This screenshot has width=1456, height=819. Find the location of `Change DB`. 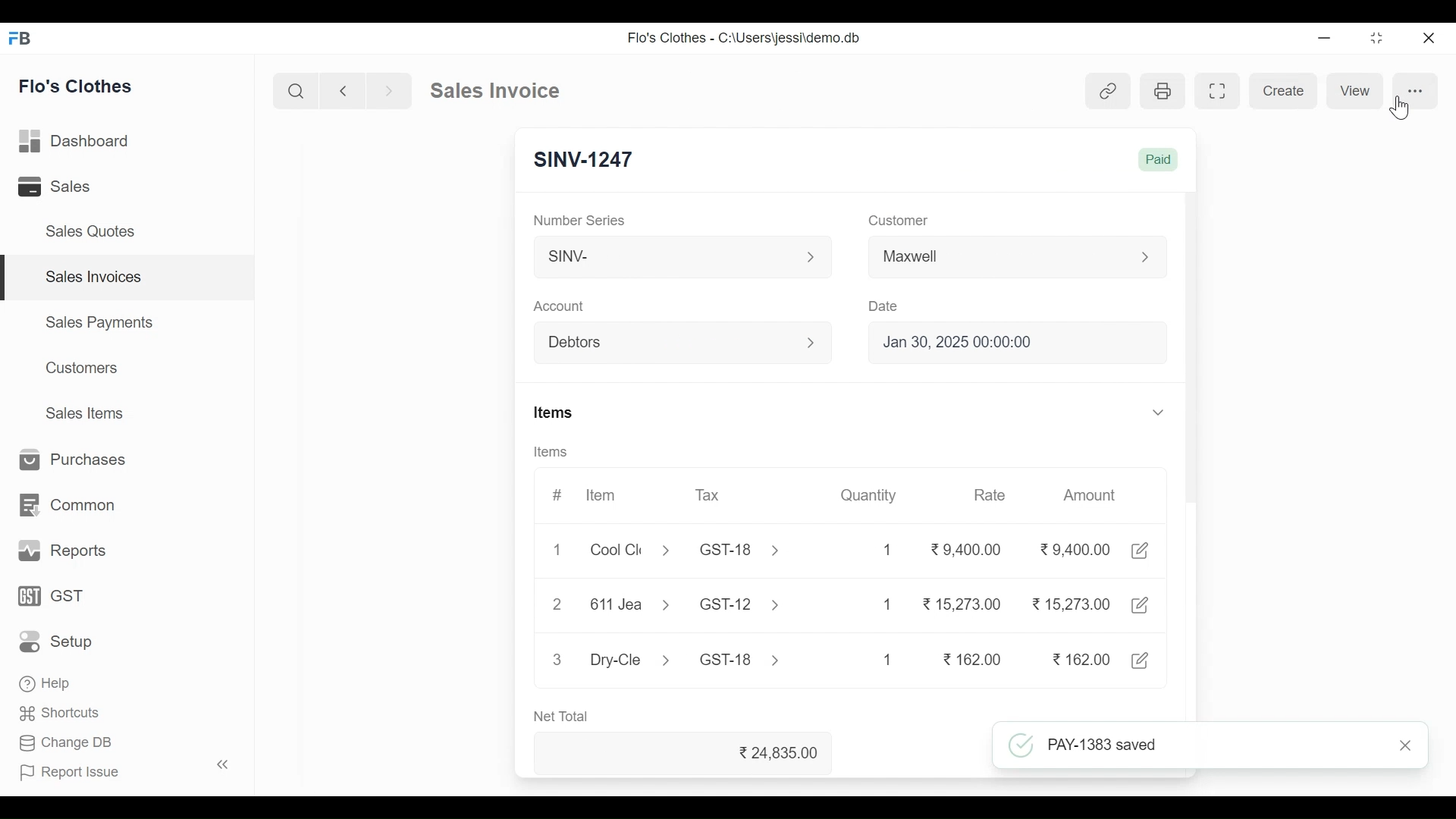

Change DB is located at coordinates (67, 745).